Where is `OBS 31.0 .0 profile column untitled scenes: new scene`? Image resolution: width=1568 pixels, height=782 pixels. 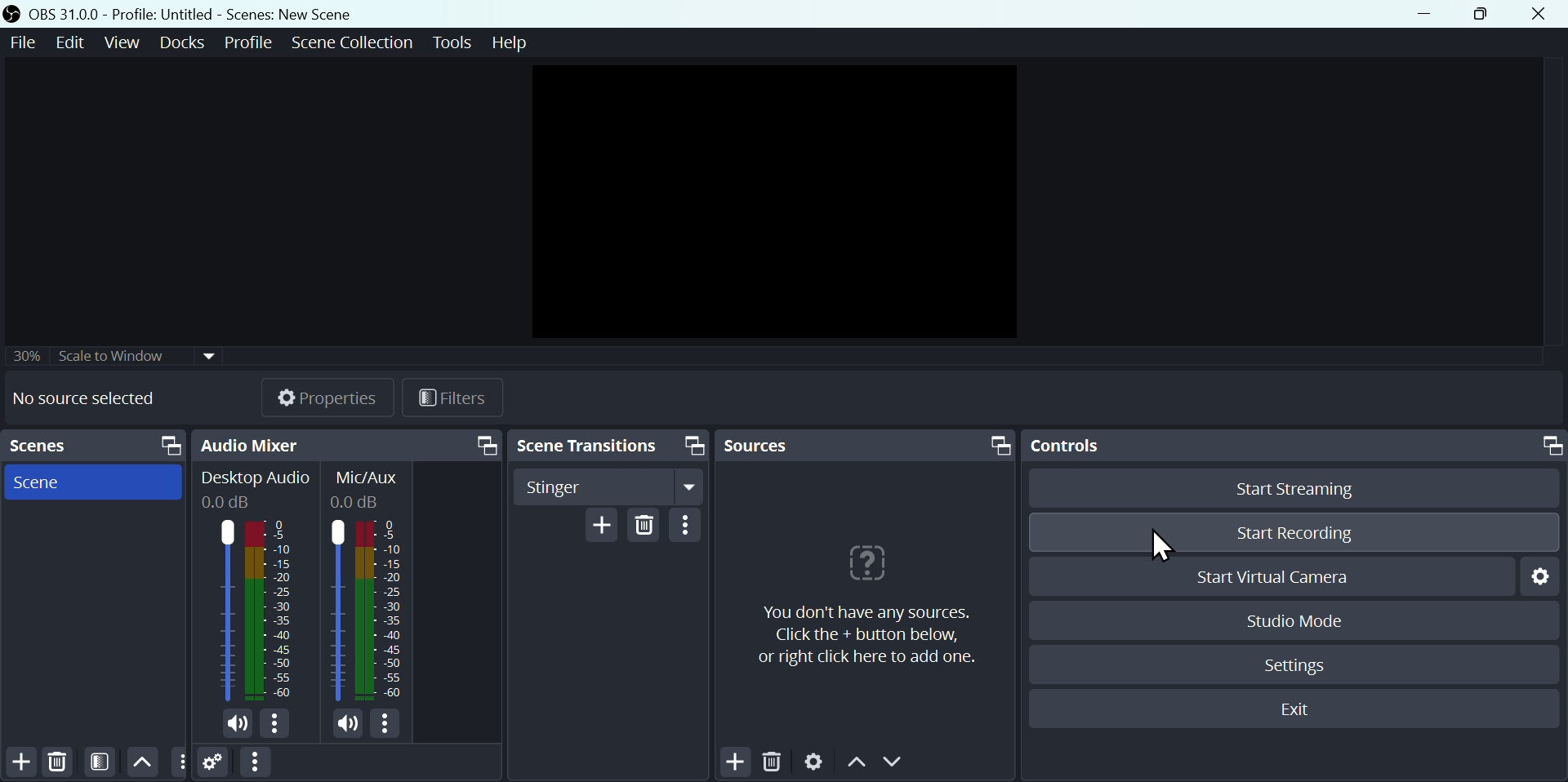
OBS 31.0 .0 profile column untitled scenes: new scene is located at coordinates (207, 13).